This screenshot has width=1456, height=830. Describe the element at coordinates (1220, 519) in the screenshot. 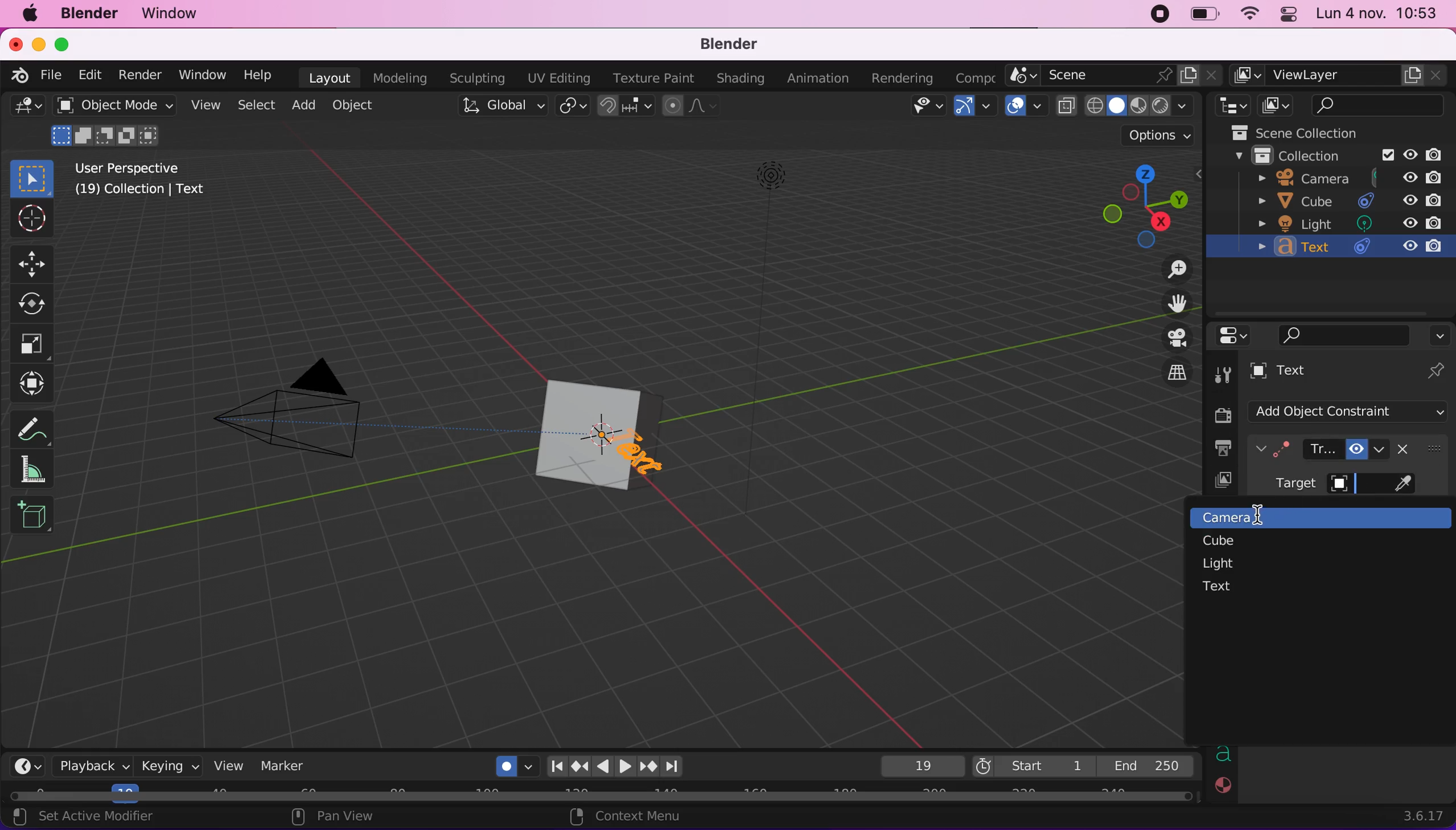

I see `camera` at that location.